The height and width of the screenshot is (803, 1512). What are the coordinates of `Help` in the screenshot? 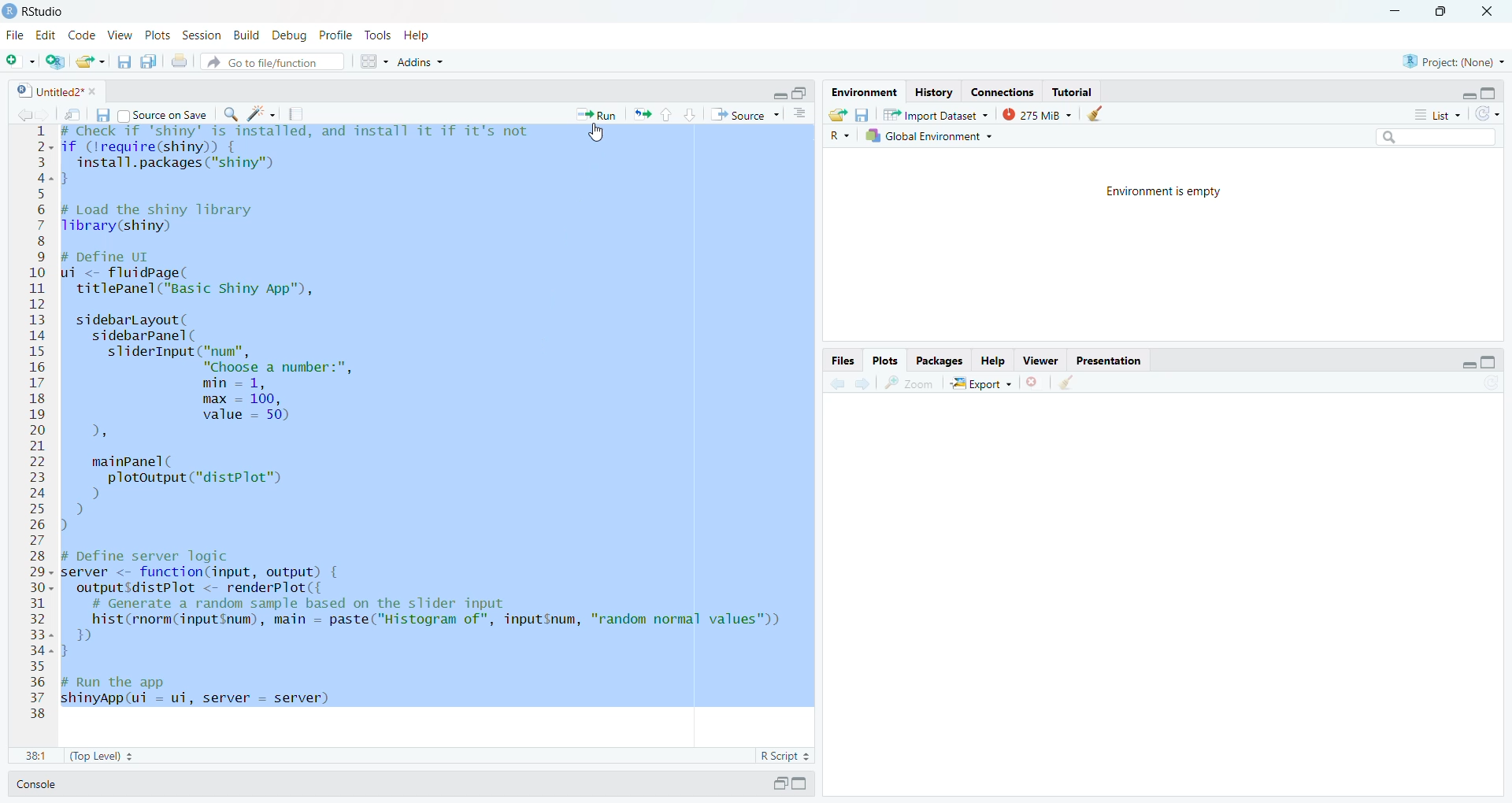 It's located at (992, 361).